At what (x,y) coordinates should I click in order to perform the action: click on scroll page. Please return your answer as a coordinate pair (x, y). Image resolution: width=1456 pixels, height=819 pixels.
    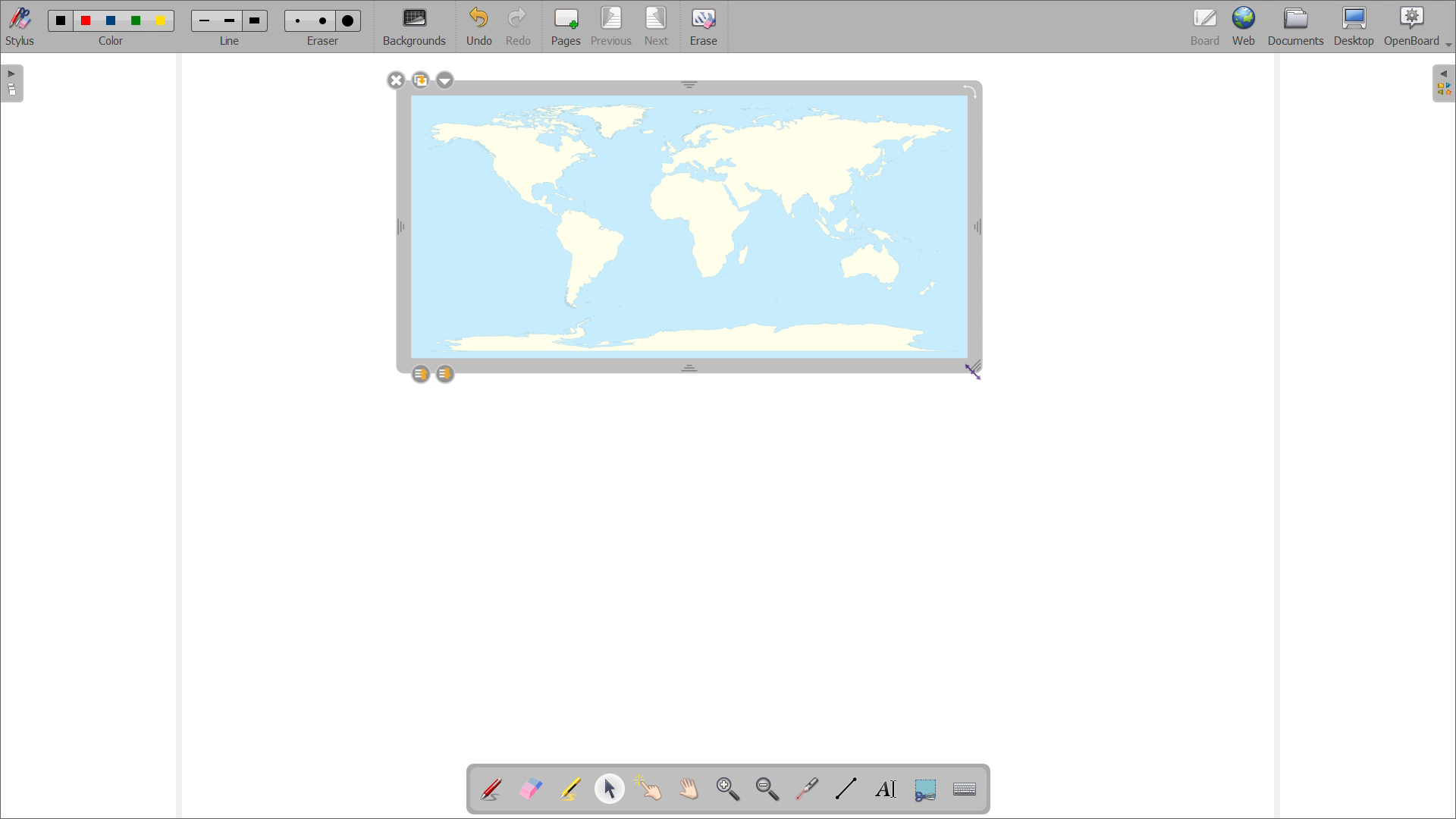
    Looking at the image, I should click on (689, 788).